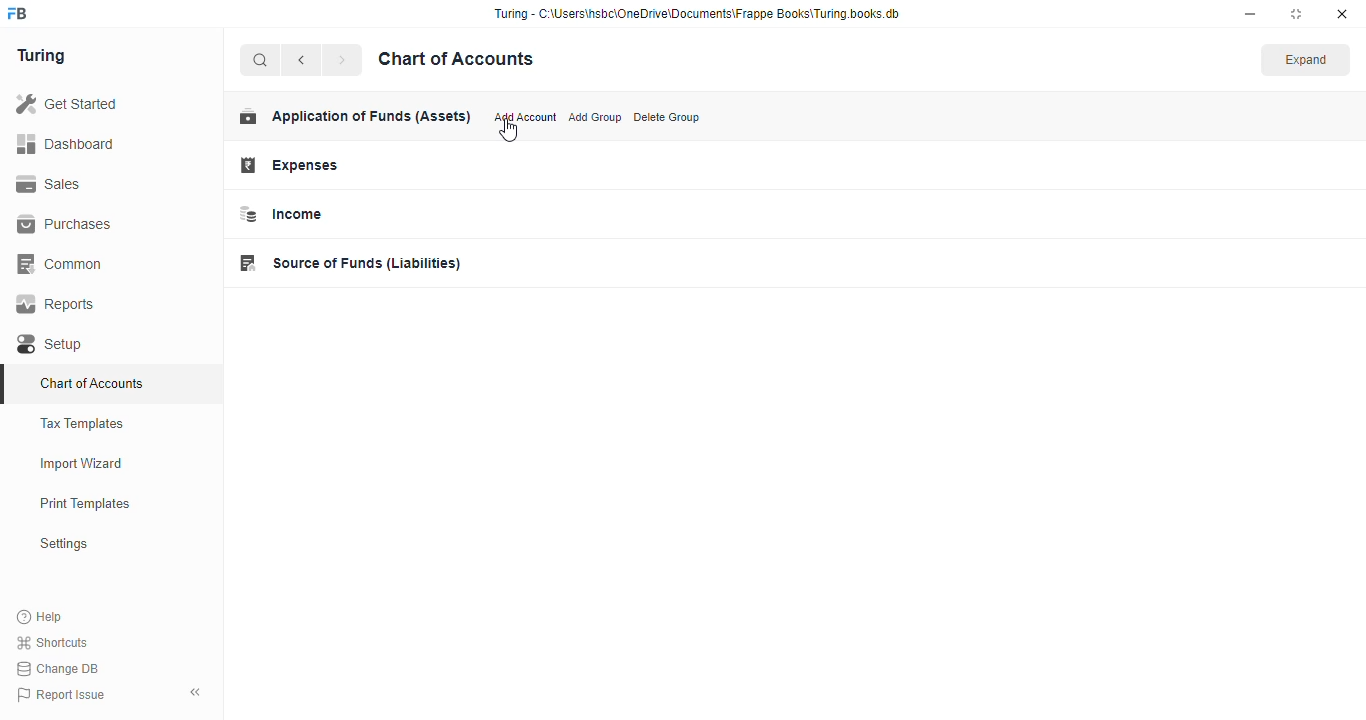 Image resolution: width=1366 pixels, height=720 pixels. Describe the element at coordinates (1342, 14) in the screenshot. I see `close` at that location.